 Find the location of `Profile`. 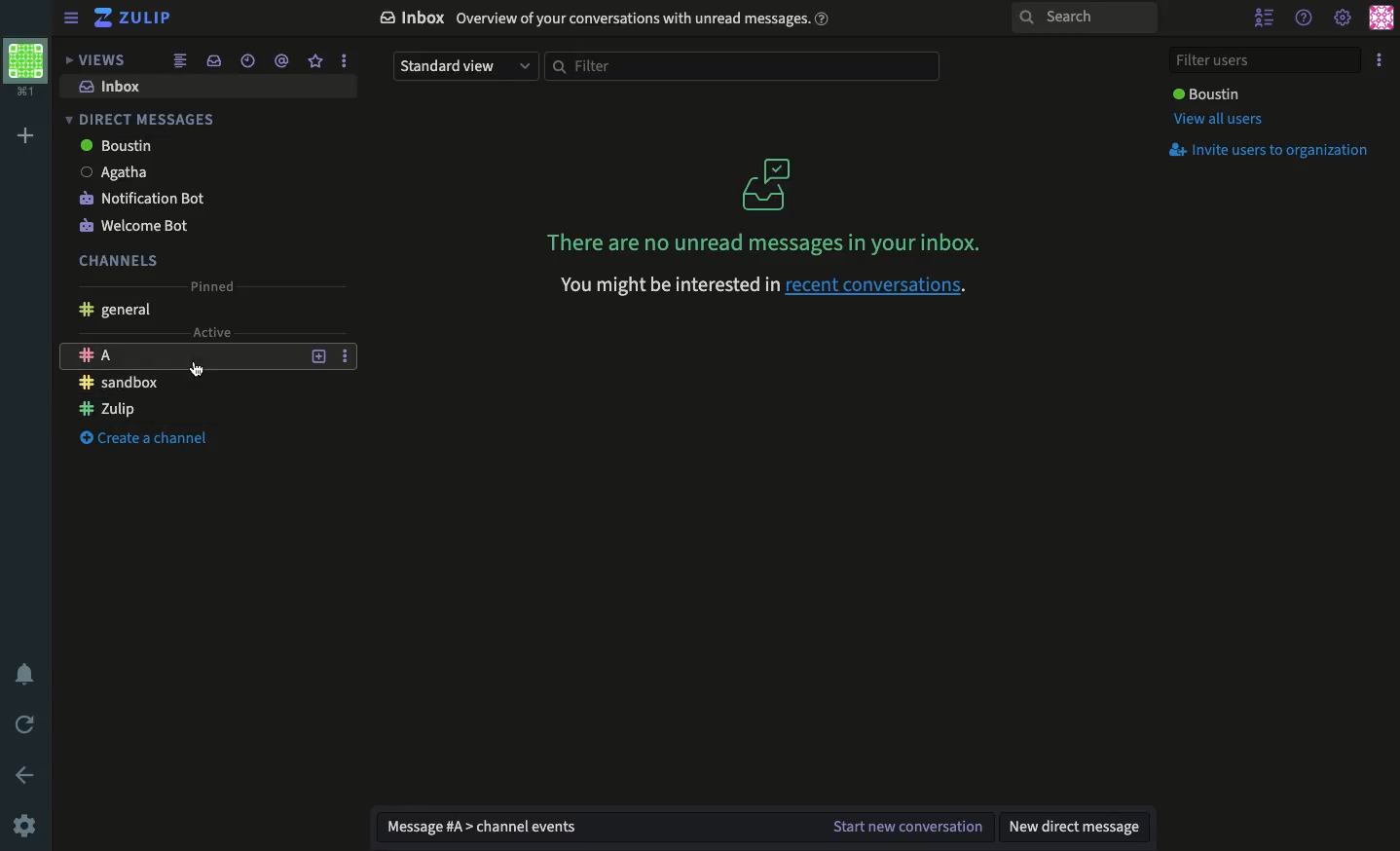

Profile is located at coordinates (1381, 18).